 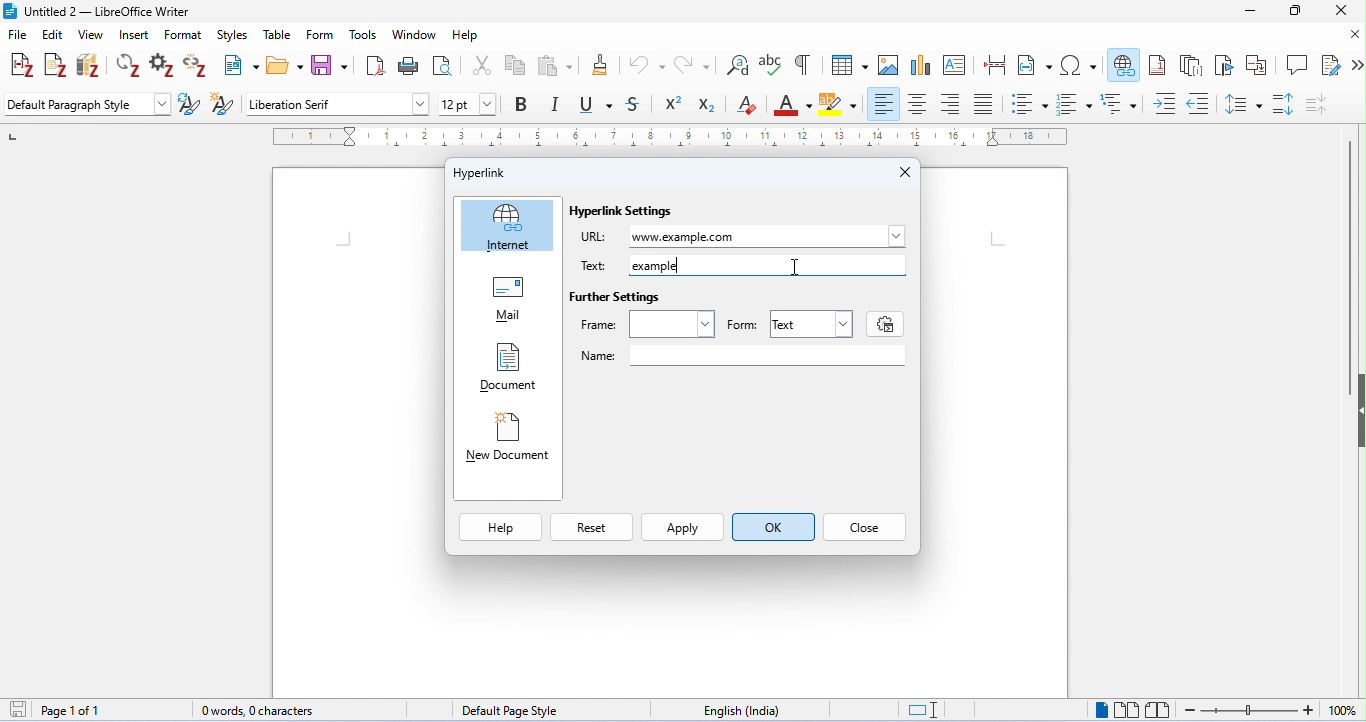 What do you see at coordinates (557, 104) in the screenshot?
I see `italics` at bounding box center [557, 104].